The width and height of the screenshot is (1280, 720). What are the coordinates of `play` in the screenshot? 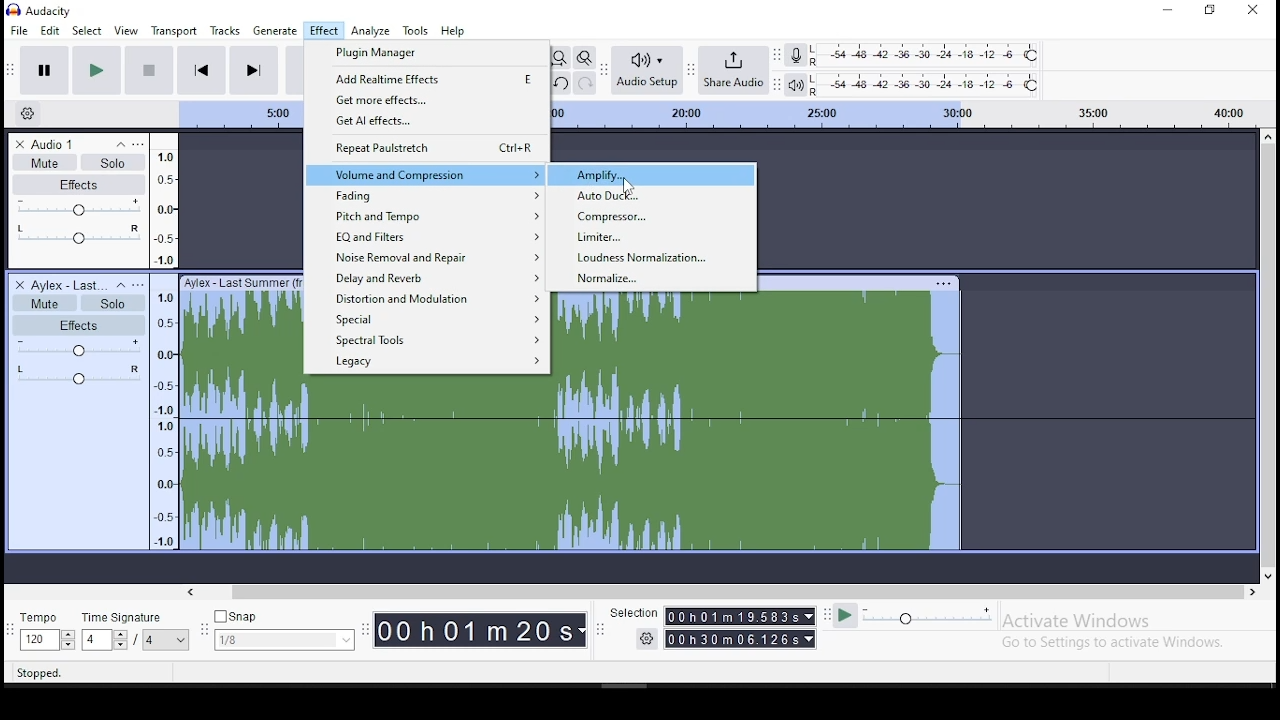 It's located at (96, 70).